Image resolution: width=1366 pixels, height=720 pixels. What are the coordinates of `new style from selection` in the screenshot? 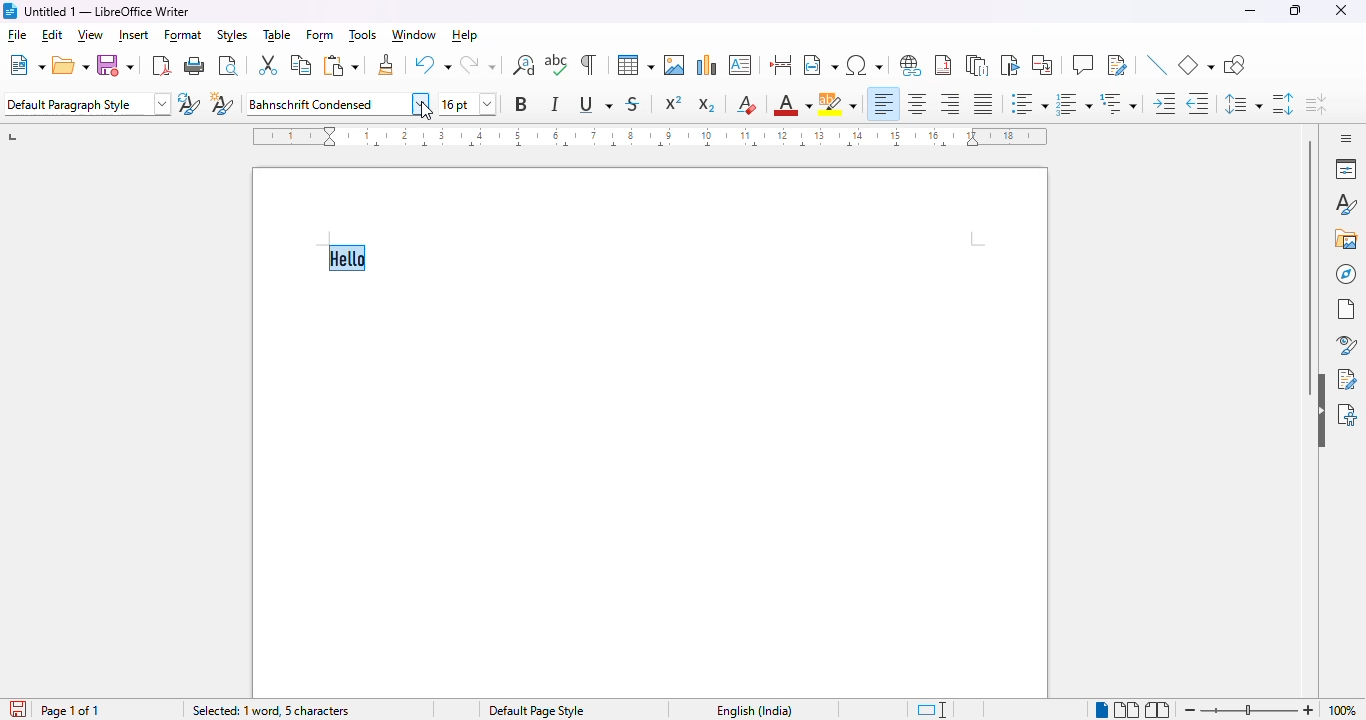 It's located at (224, 105).